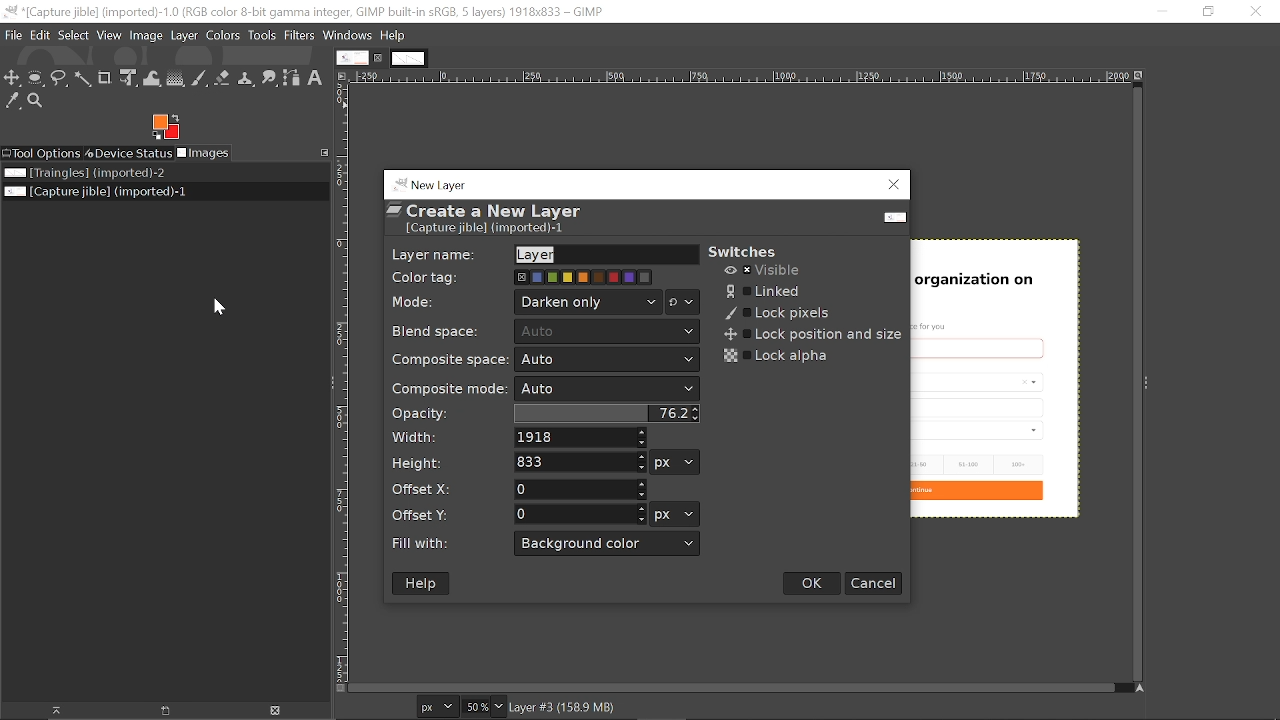 The width and height of the screenshot is (1280, 720). What do you see at coordinates (774, 356) in the screenshot?
I see `Lock alpha` at bounding box center [774, 356].